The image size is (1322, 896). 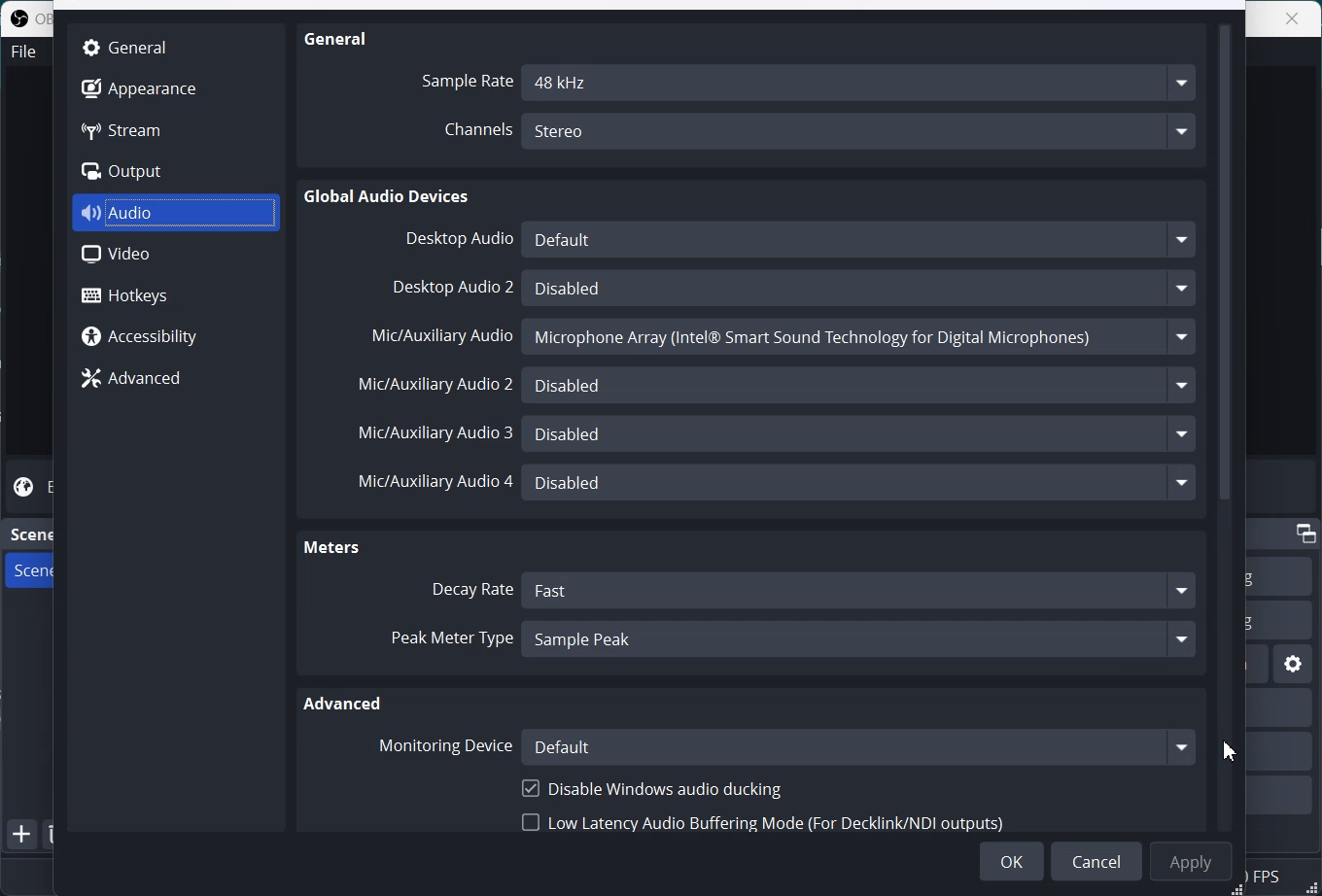 I want to click on Desktop Audio, so click(x=453, y=237).